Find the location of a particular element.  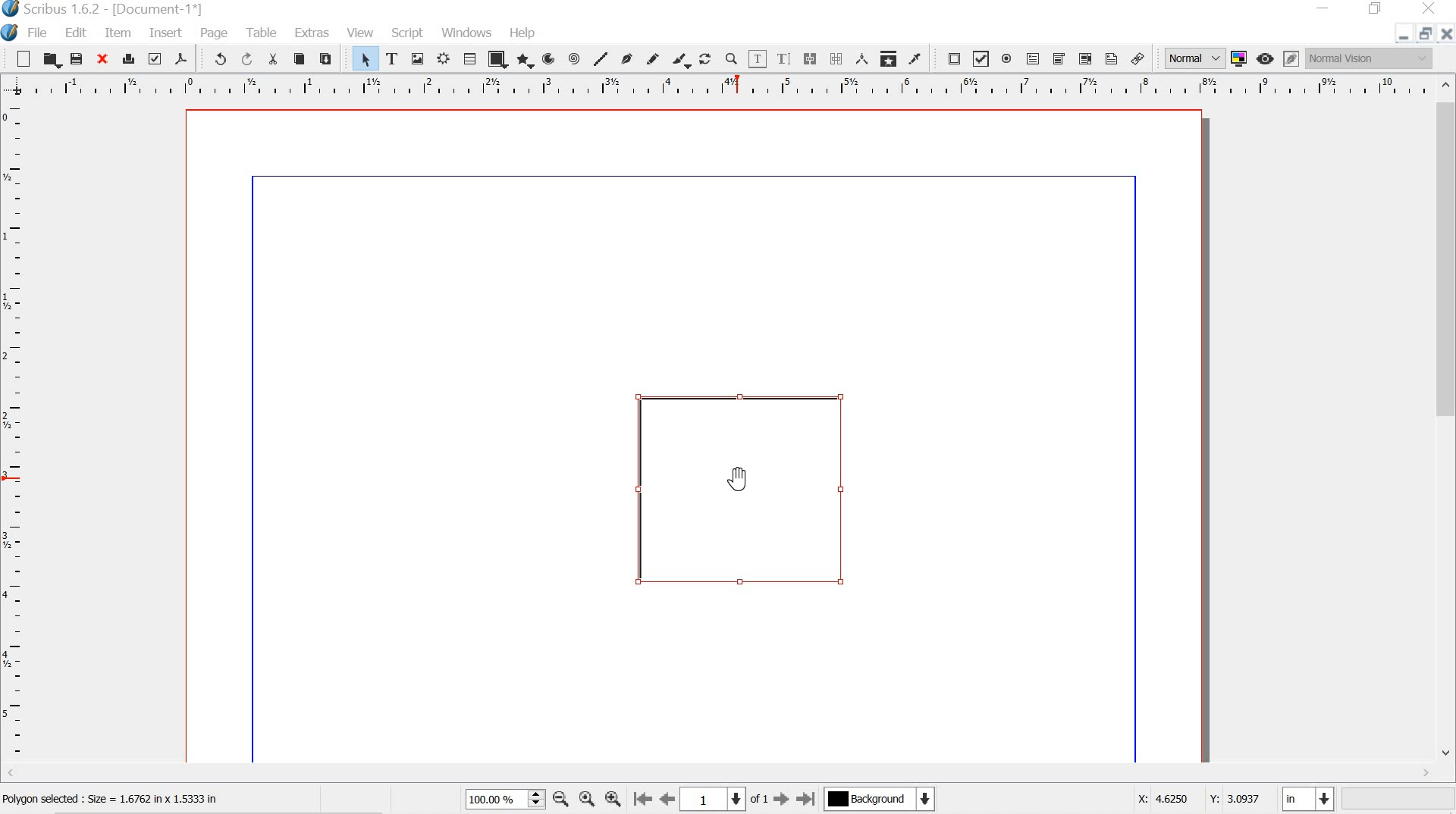

pdf checkbox is located at coordinates (981, 58).